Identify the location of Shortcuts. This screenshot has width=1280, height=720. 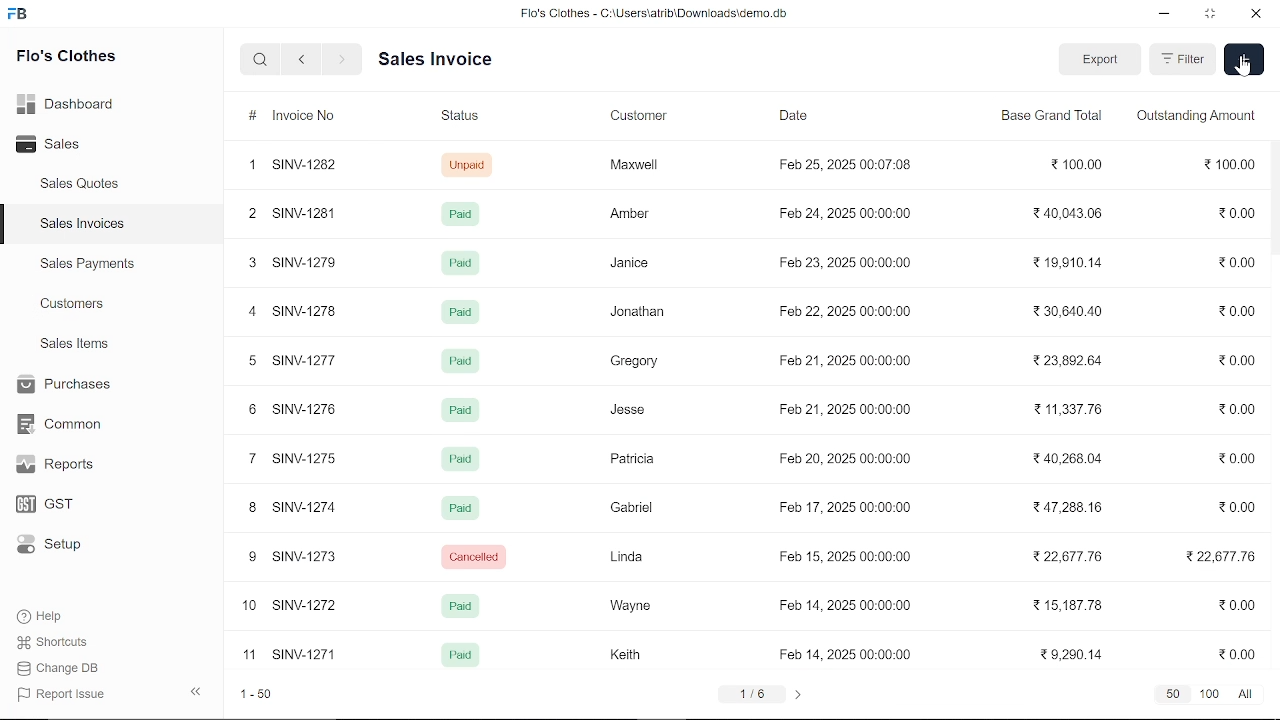
(63, 643).